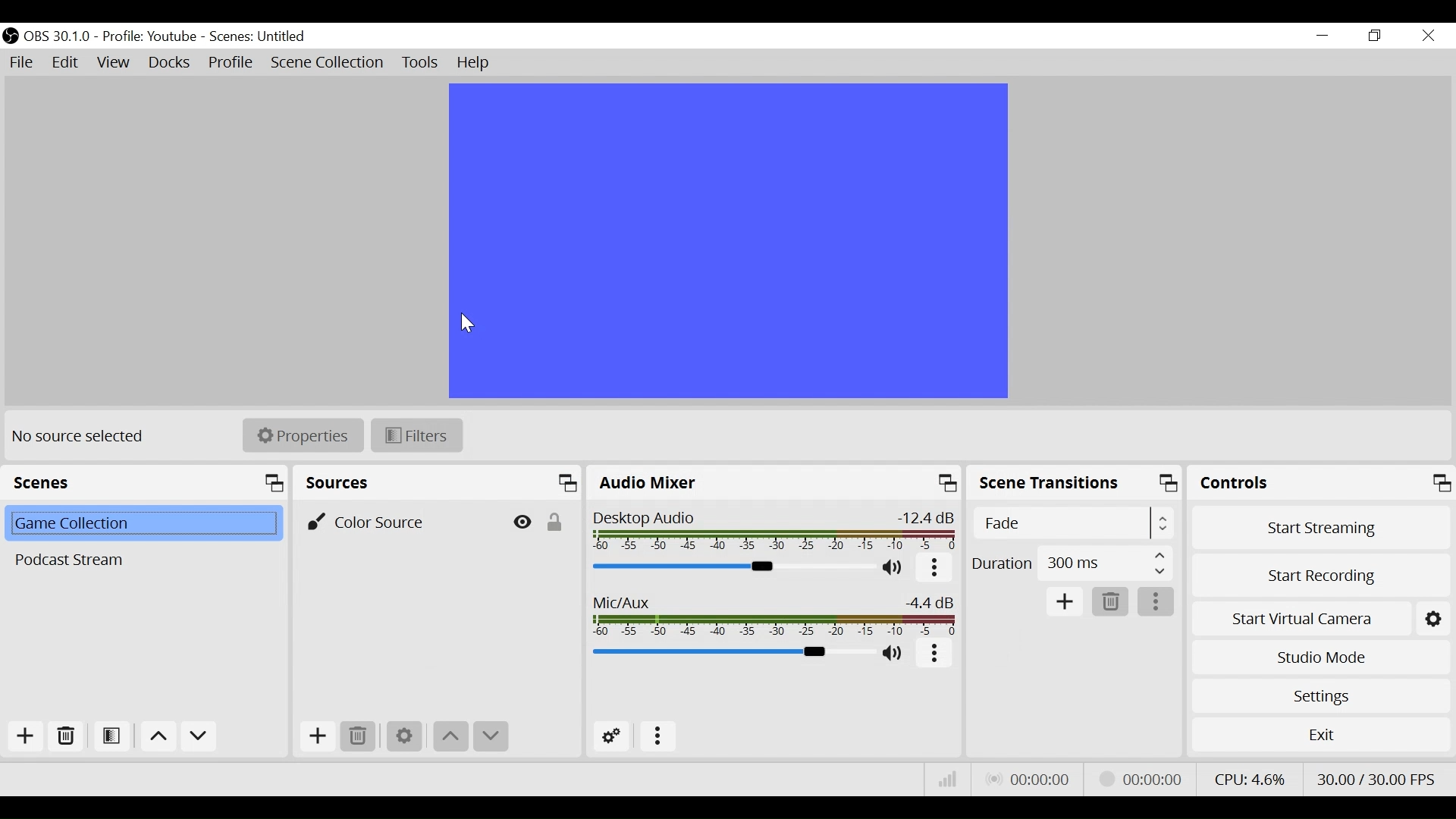 This screenshot has height=819, width=1456. What do you see at coordinates (1373, 36) in the screenshot?
I see `Restore` at bounding box center [1373, 36].